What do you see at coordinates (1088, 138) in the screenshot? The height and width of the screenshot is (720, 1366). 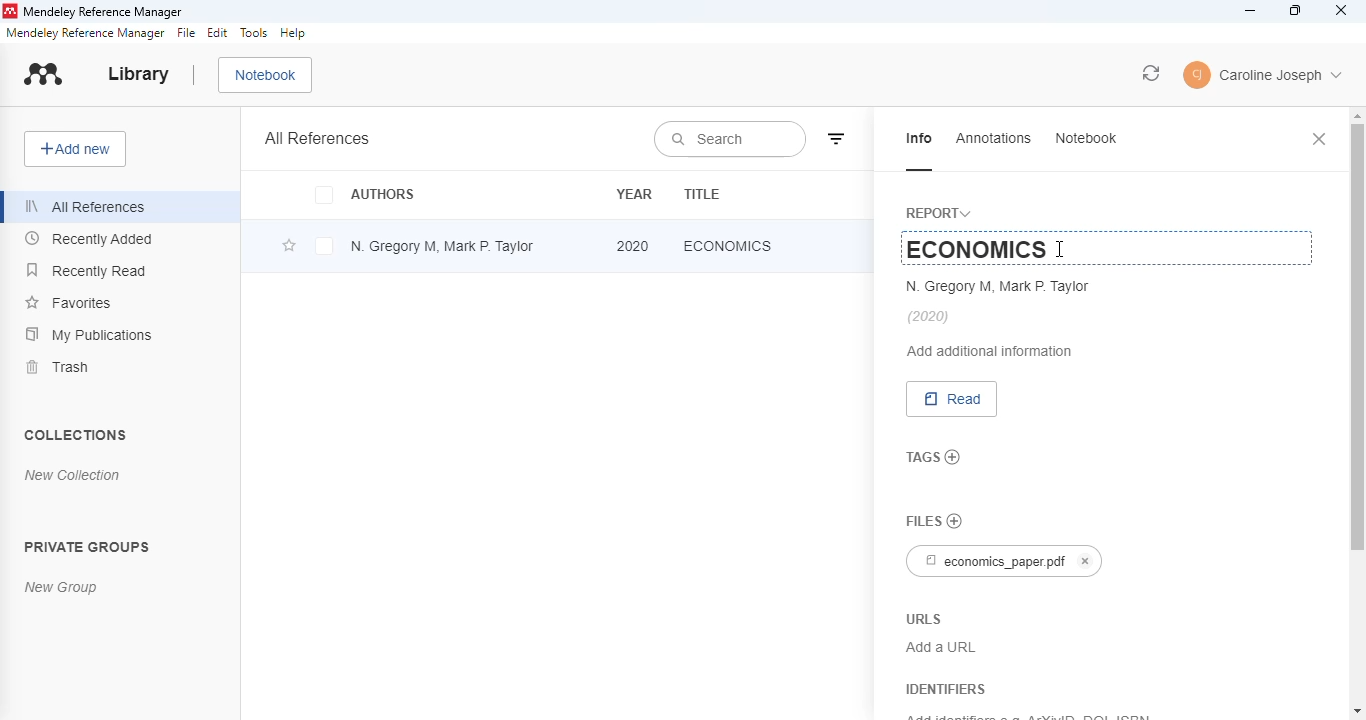 I see `notebook` at bounding box center [1088, 138].